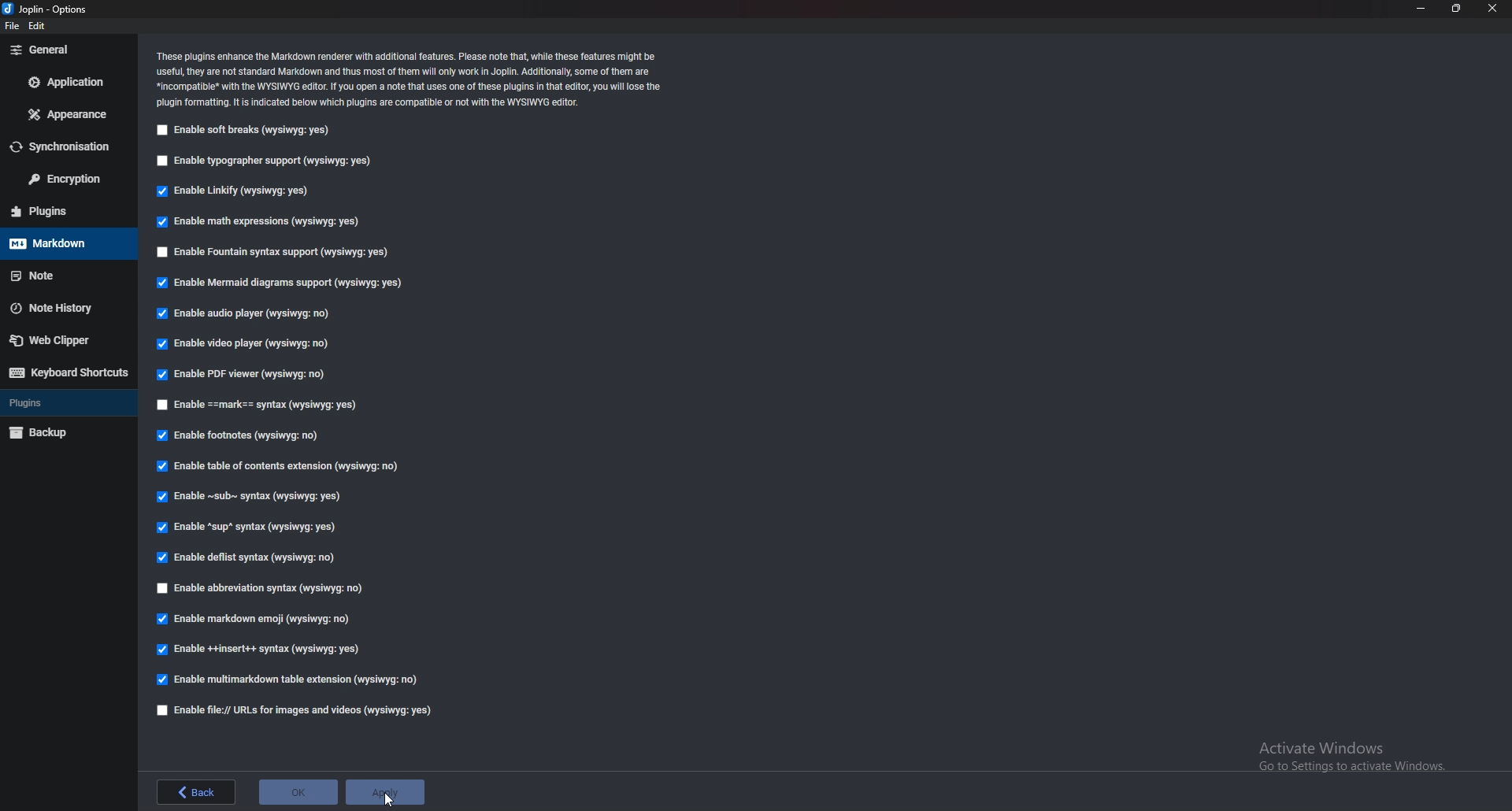 This screenshot has width=1512, height=811. I want to click on Back up, so click(64, 435).